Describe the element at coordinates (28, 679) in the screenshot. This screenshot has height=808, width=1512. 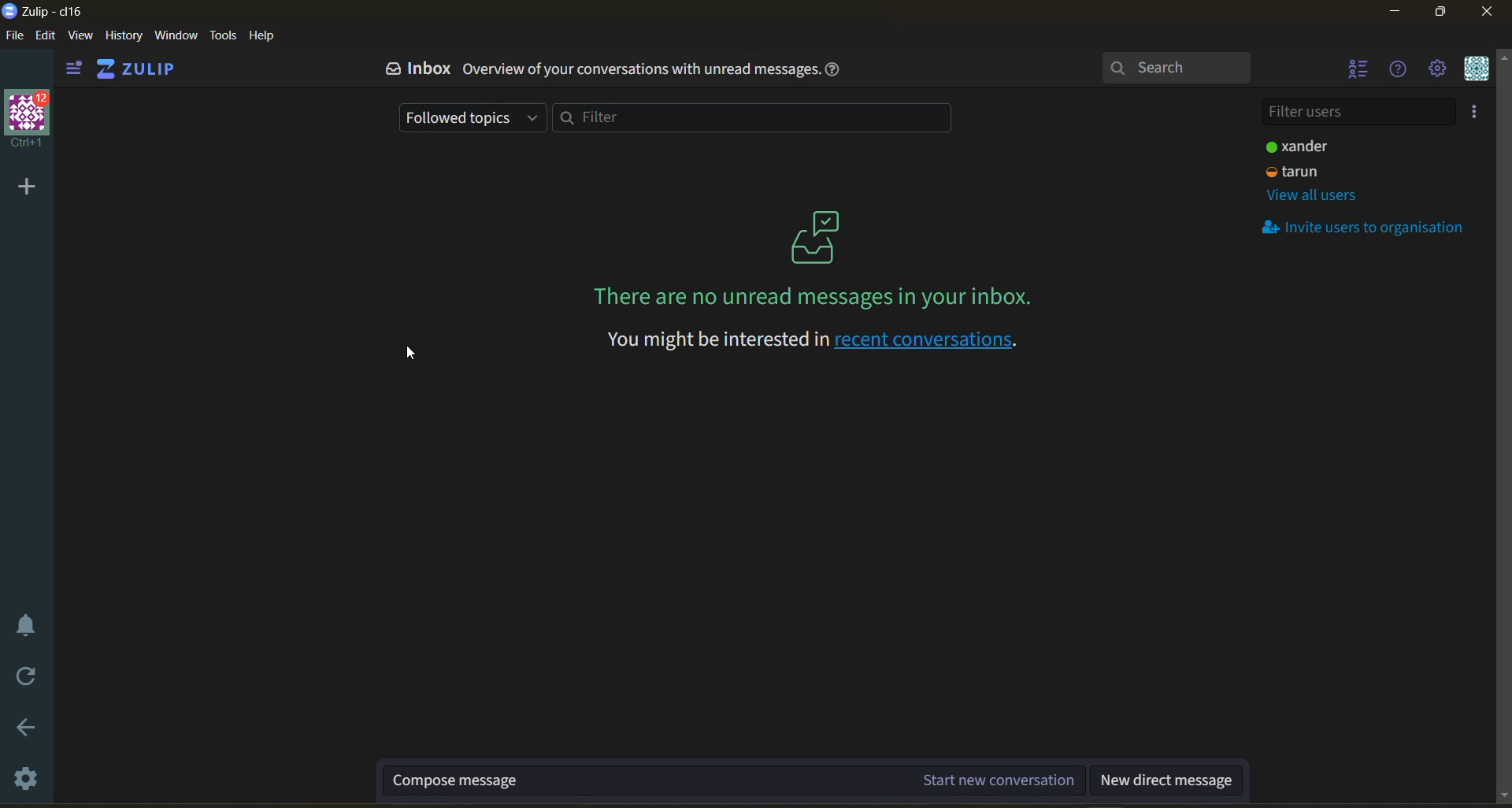
I see `reload` at that location.